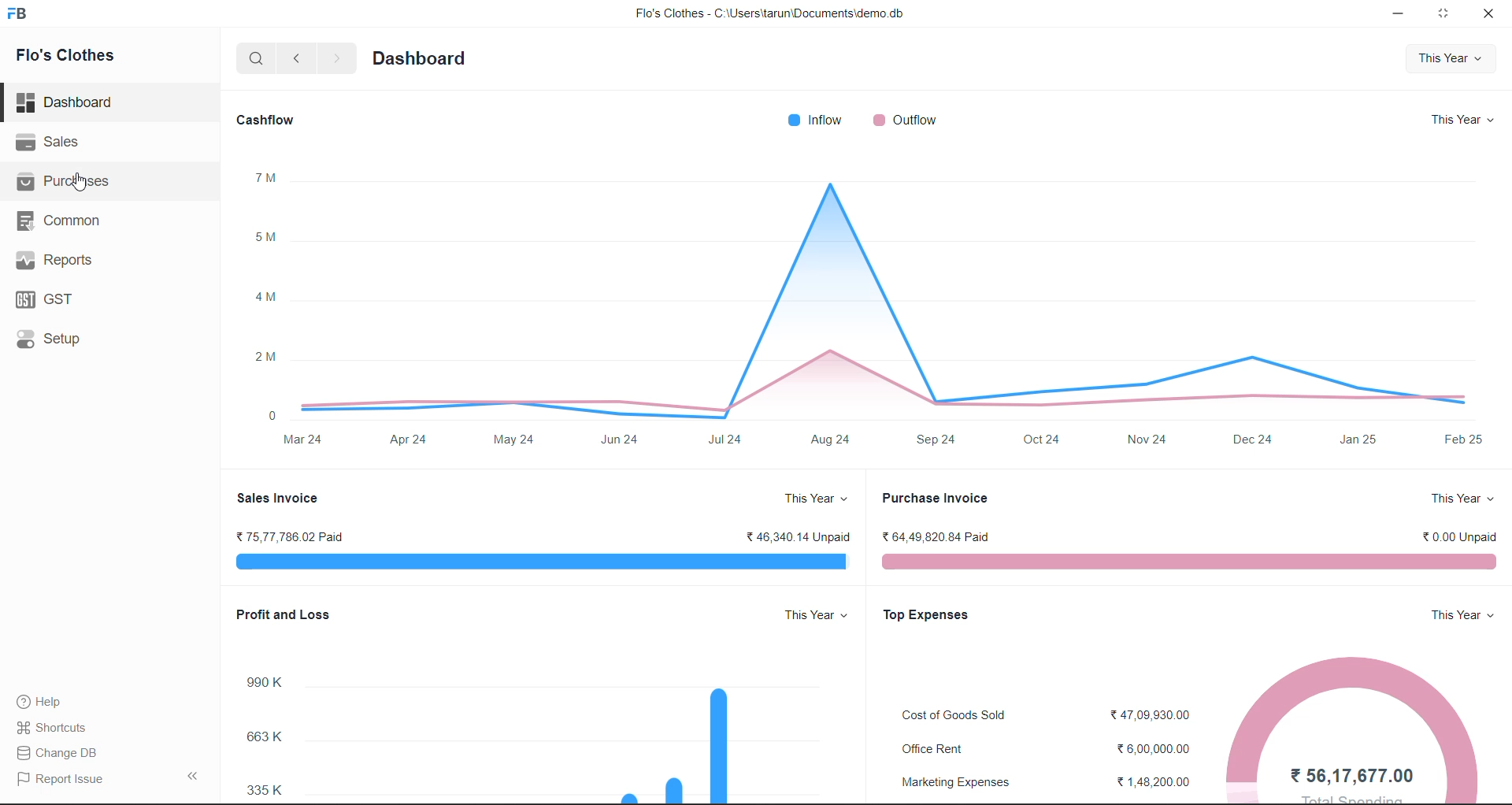 The width and height of the screenshot is (1512, 805). What do you see at coordinates (1042, 717) in the screenshot?
I see `Cost of Goods Sold ₹47,09,930.00` at bounding box center [1042, 717].